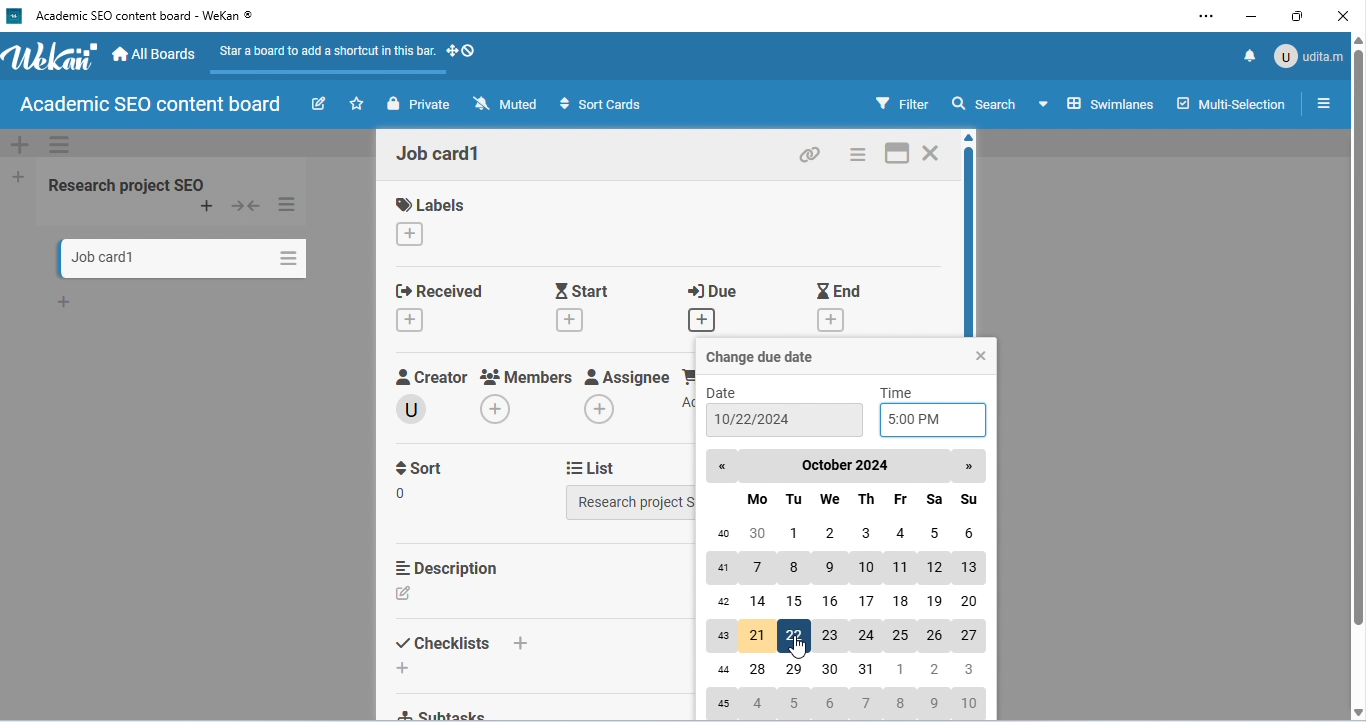 Image resolution: width=1366 pixels, height=722 pixels. What do you see at coordinates (1230, 103) in the screenshot?
I see `multi-selection` at bounding box center [1230, 103].